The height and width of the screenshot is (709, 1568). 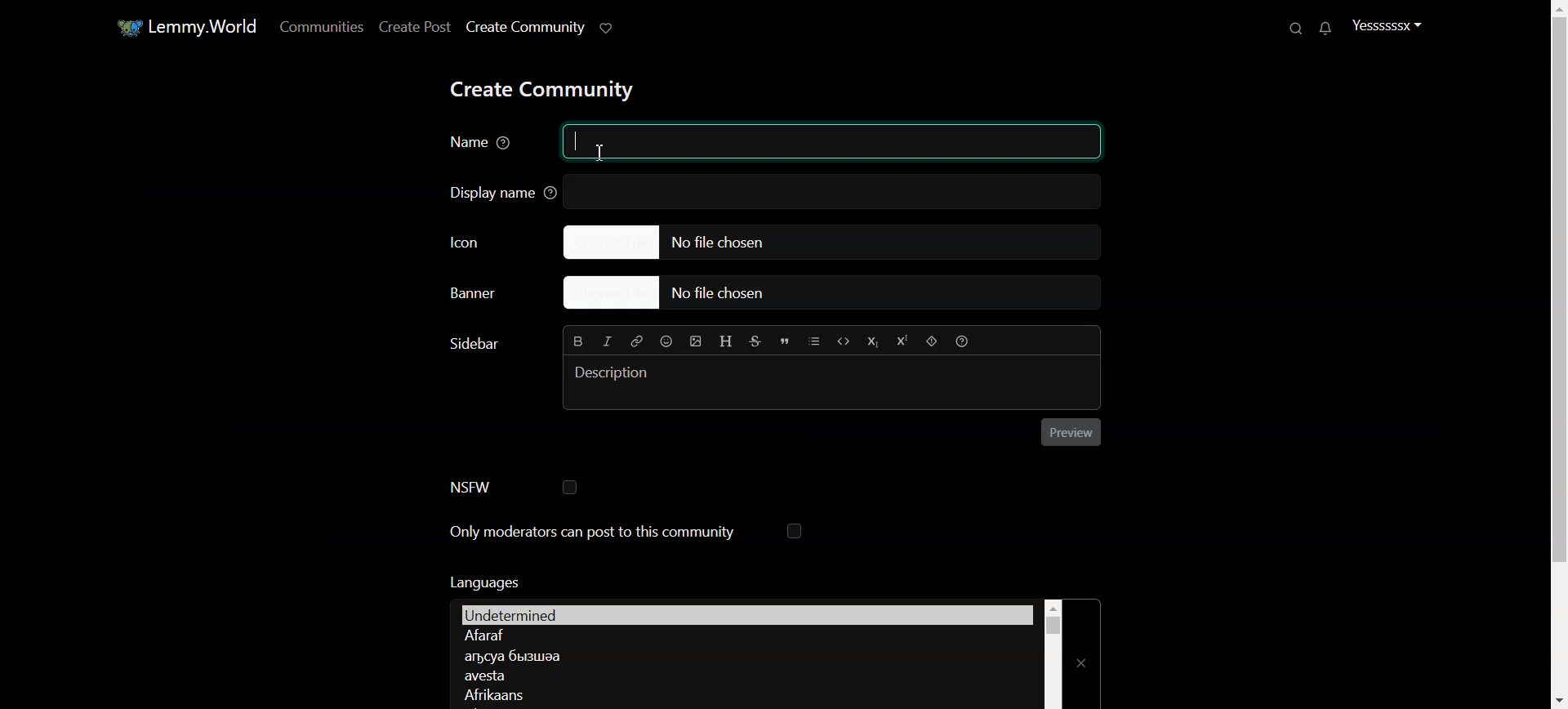 What do you see at coordinates (318, 26) in the screenshot?
I see `Communities` at bounding box center [318, 26].